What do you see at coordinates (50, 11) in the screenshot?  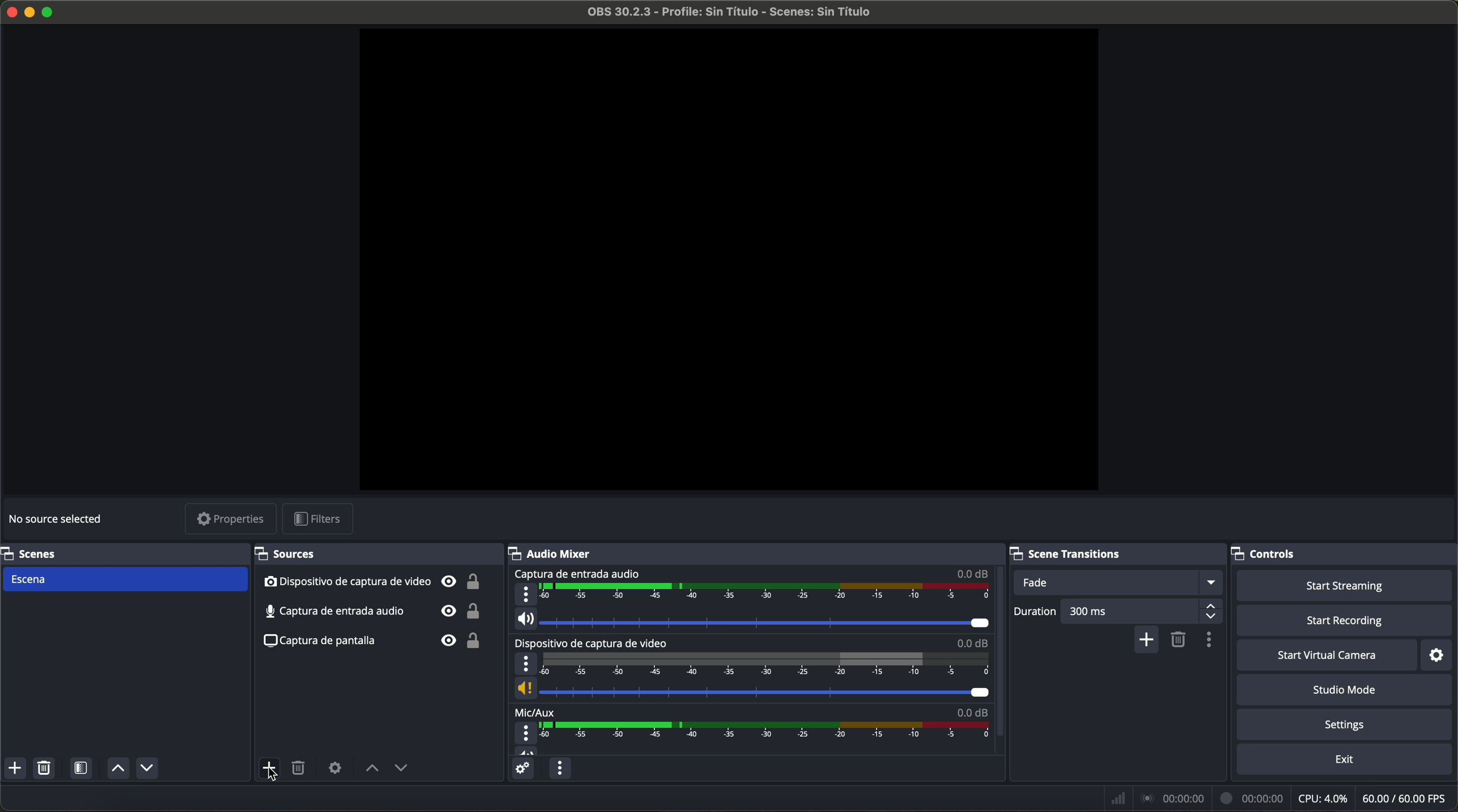 I see `maximize program` at bounding box center [50, 11].